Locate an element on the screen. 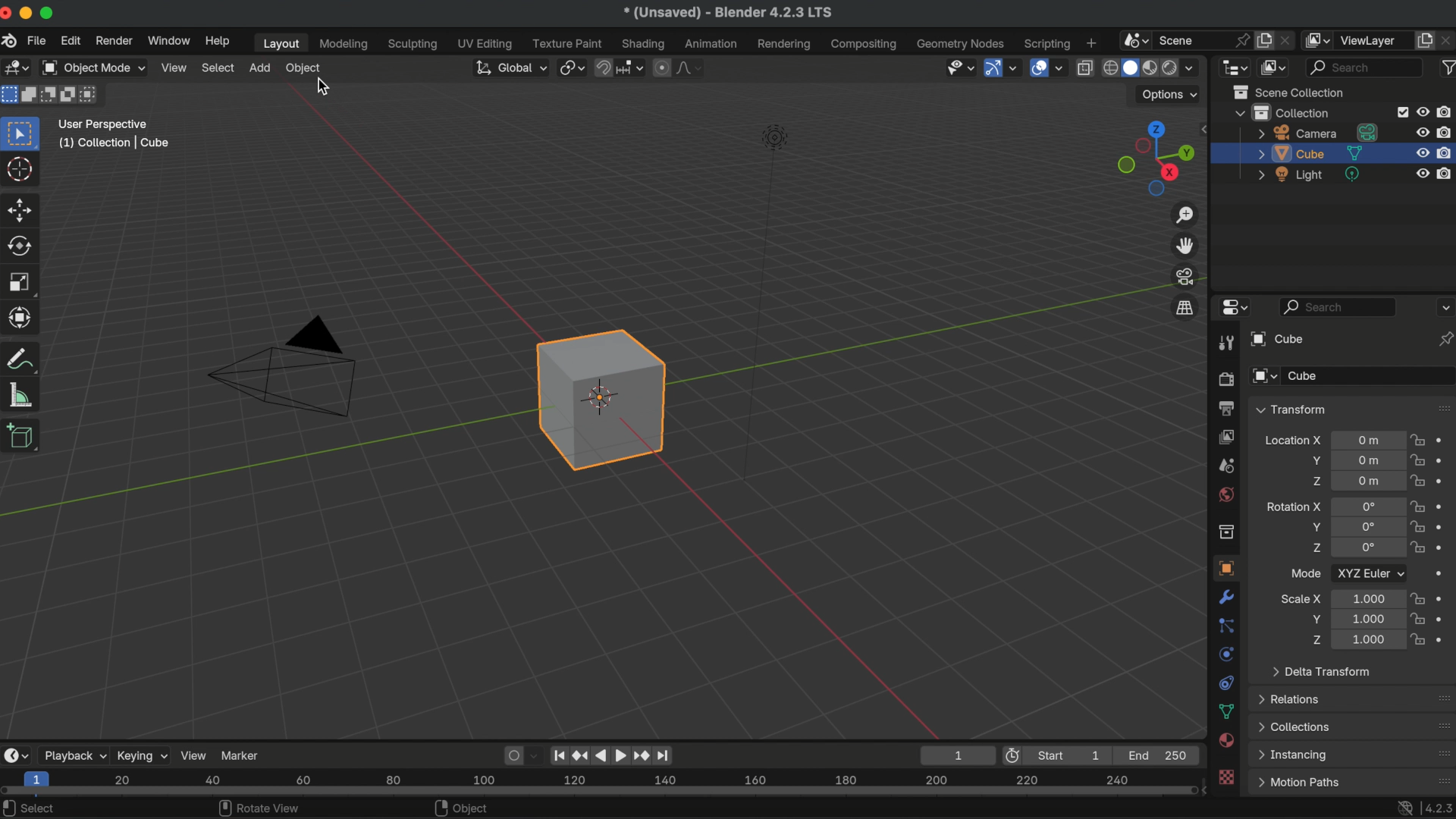 The width and height of the screenshot is (1456, 819). drag handles is located at coordinates (1442, 753).